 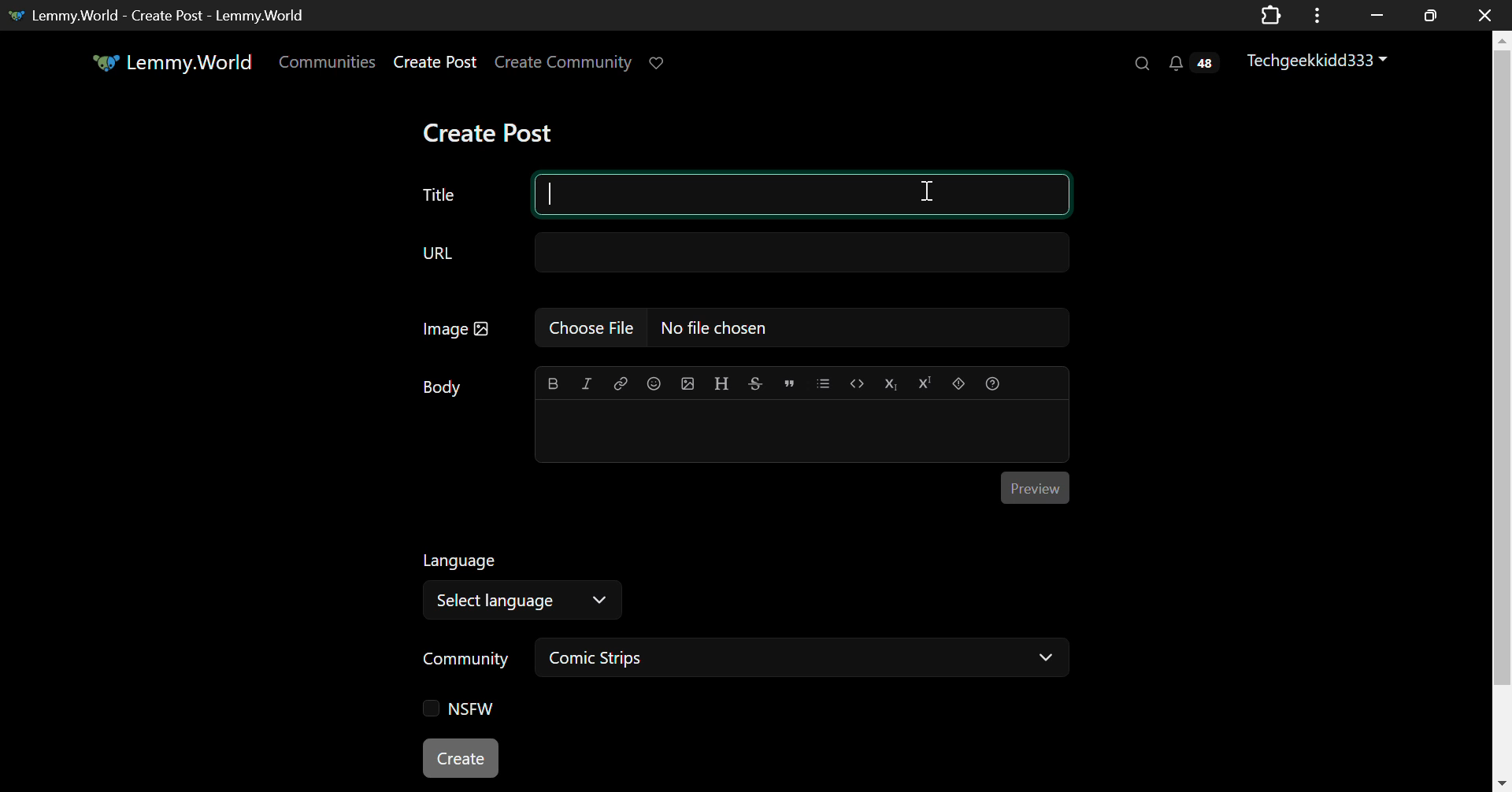 What do you see at coordinates (925, 383) in the screenshot?
I see `Superscript` at bounding box center [925, 383].